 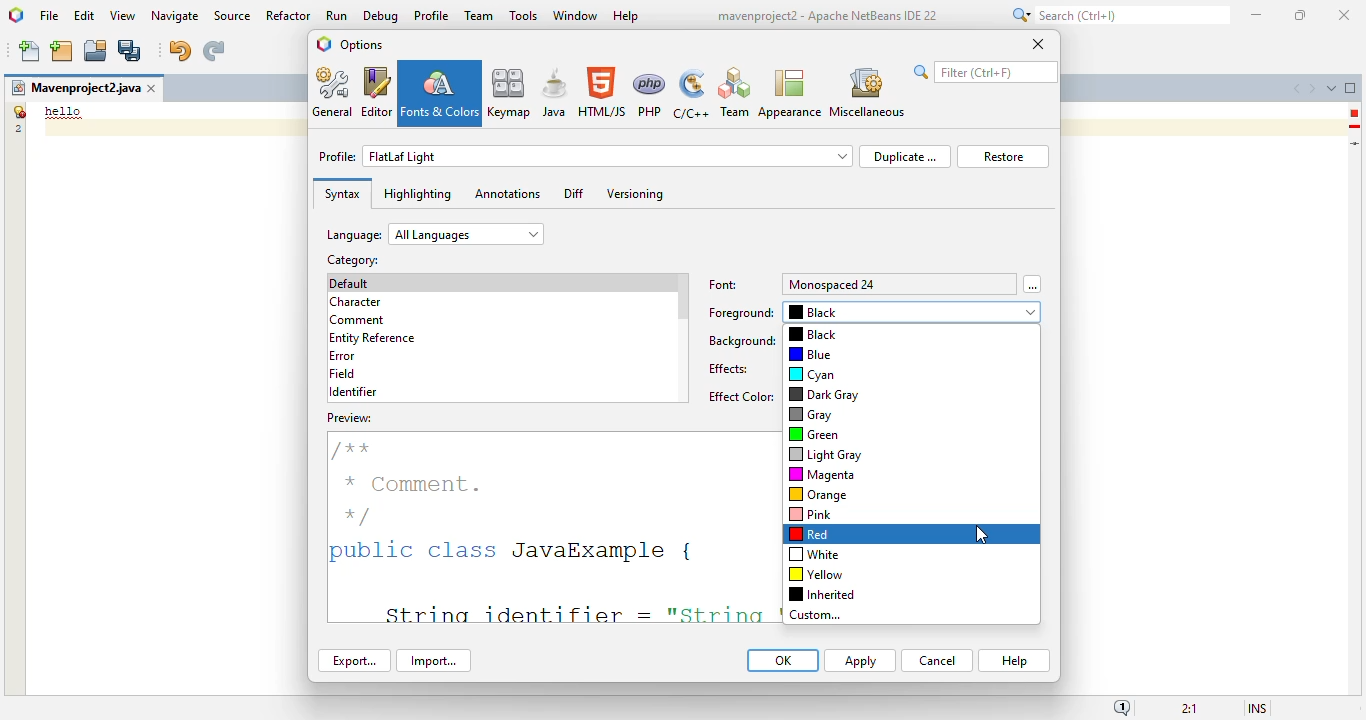 What do you see at coordinates (1258, 15) in the screenshot?
I see `minimize` at bounding box center [1258, 15].